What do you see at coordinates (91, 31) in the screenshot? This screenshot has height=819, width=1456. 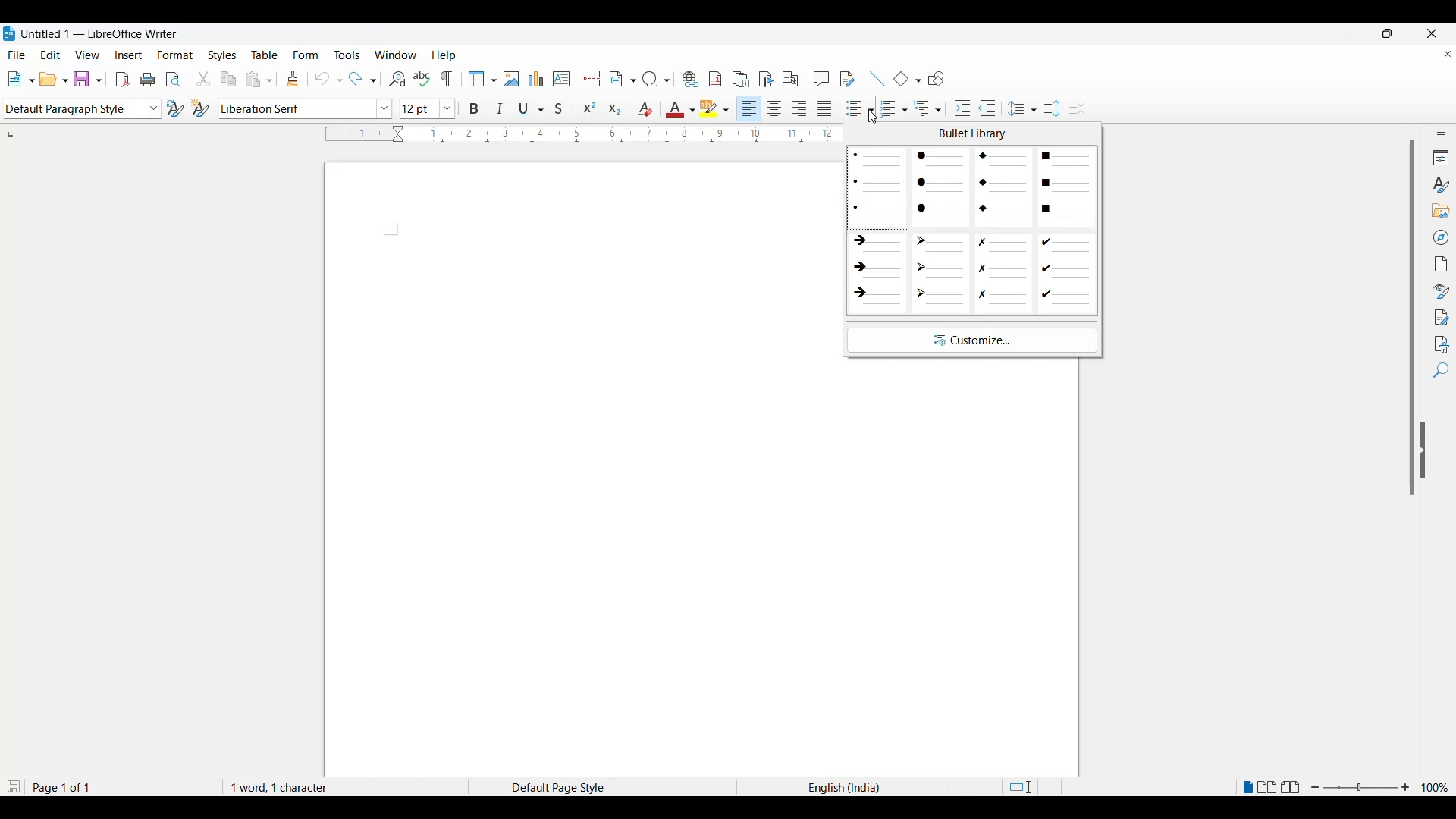 I see `Untitled 1 — LibreOffice Writer` at bounding box center [91, 31].